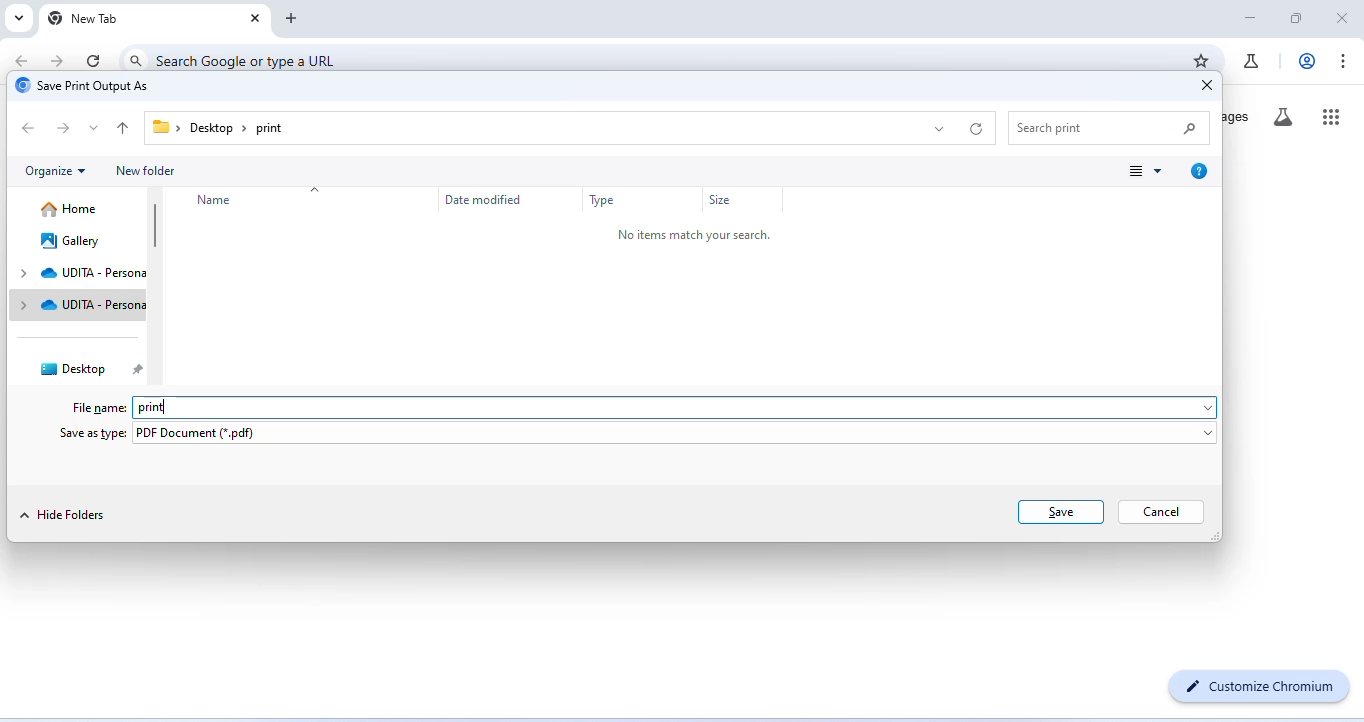  I want to click on chrome labs, so click(1251, 61).